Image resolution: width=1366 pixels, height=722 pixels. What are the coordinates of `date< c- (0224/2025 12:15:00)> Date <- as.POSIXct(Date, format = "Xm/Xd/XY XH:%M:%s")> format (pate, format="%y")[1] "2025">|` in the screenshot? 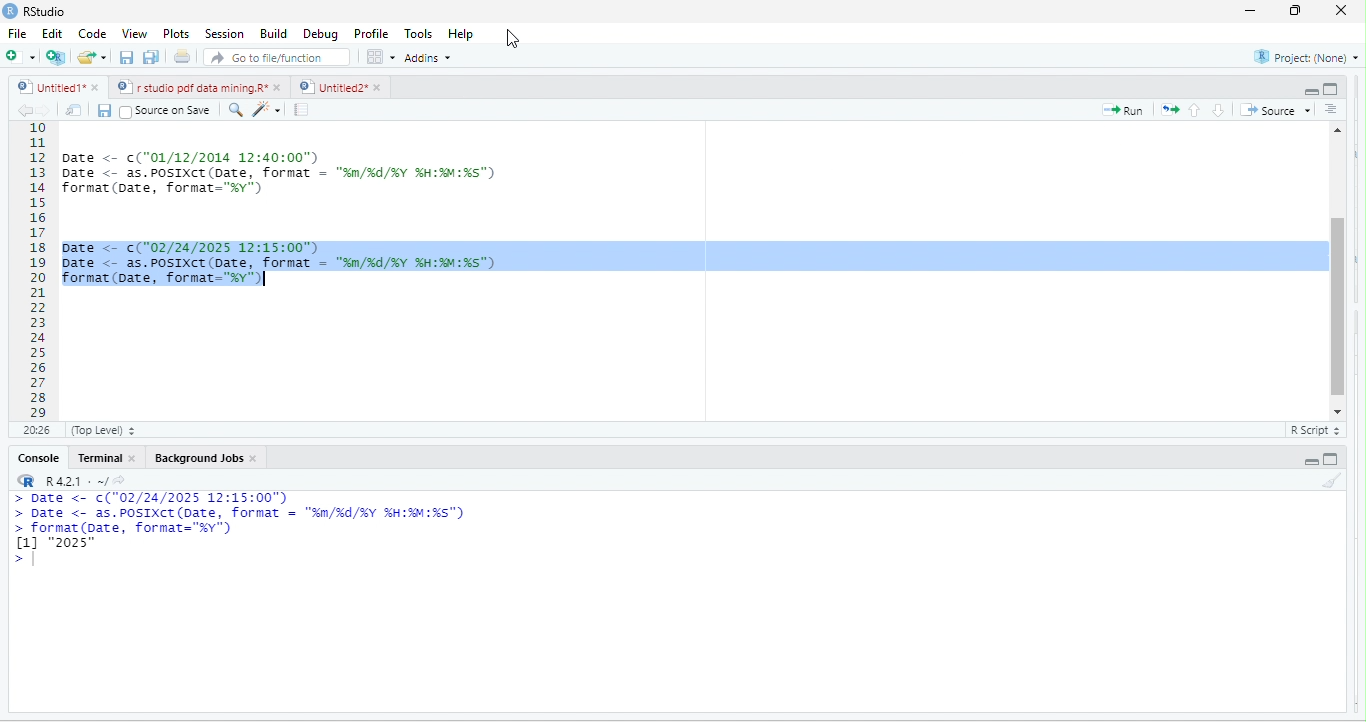 It's located at (271, 532).